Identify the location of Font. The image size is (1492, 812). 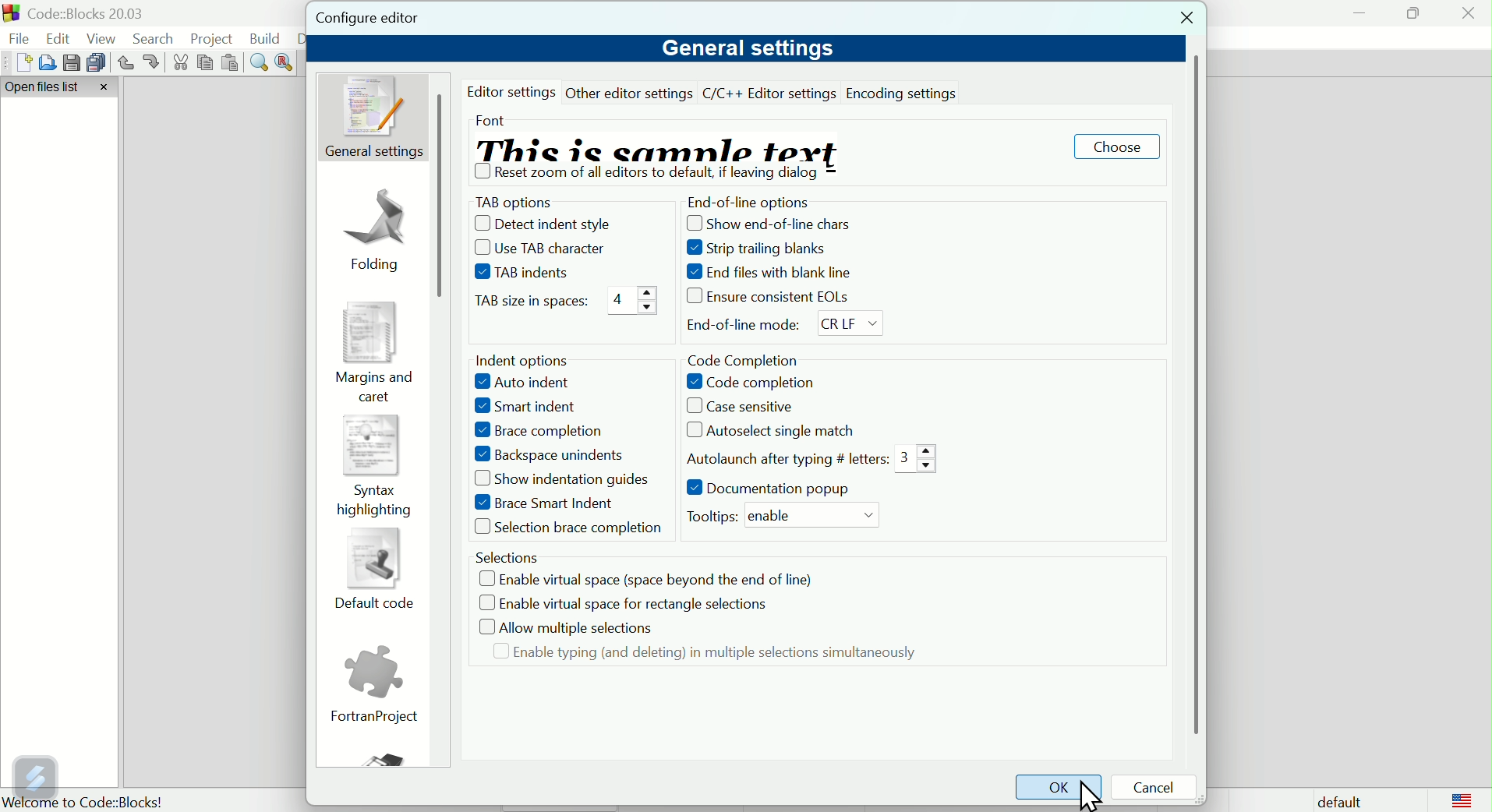
(489, 117).